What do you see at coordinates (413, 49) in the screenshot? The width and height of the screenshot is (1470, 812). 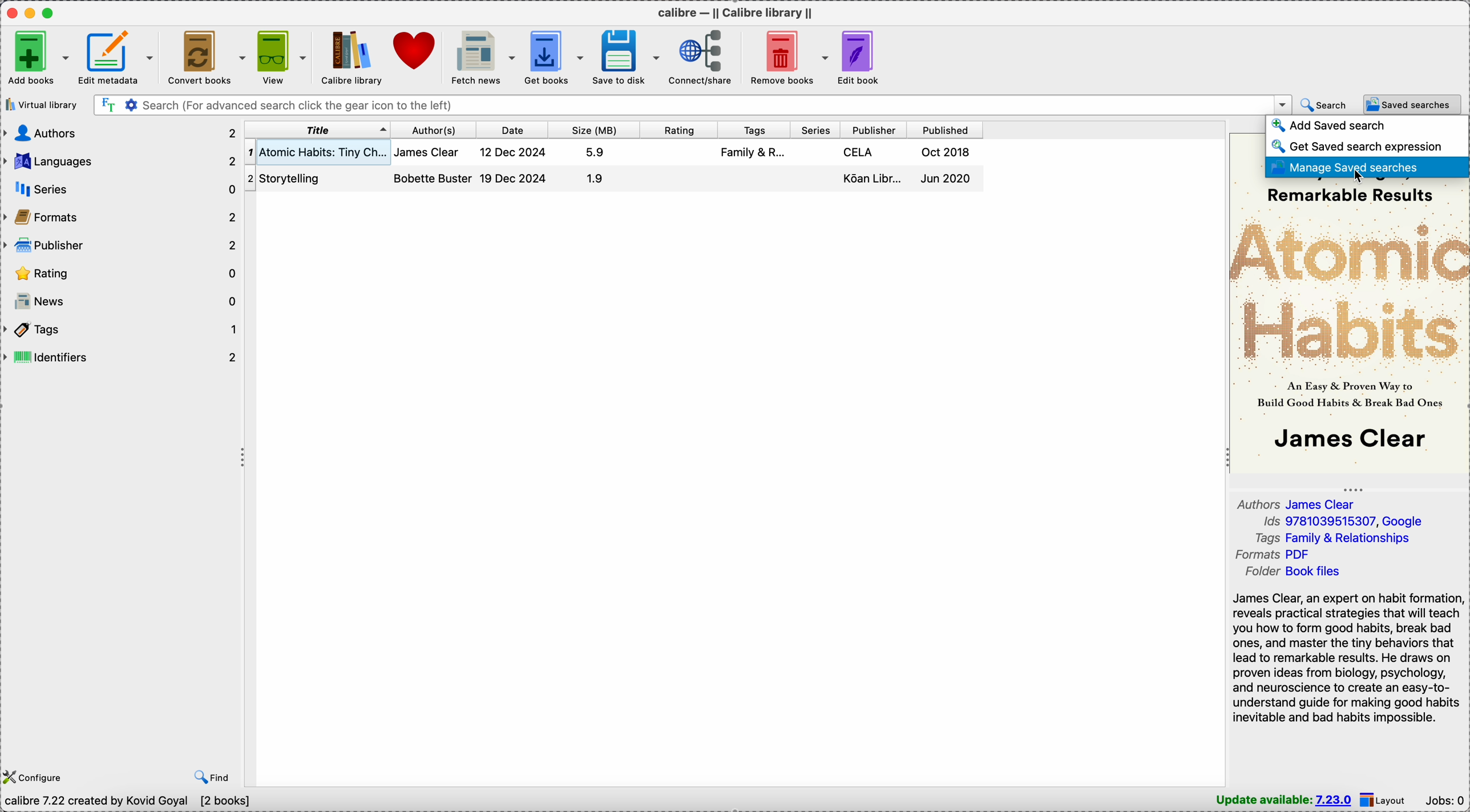 I see `donate` at bounding box center [413, 49].